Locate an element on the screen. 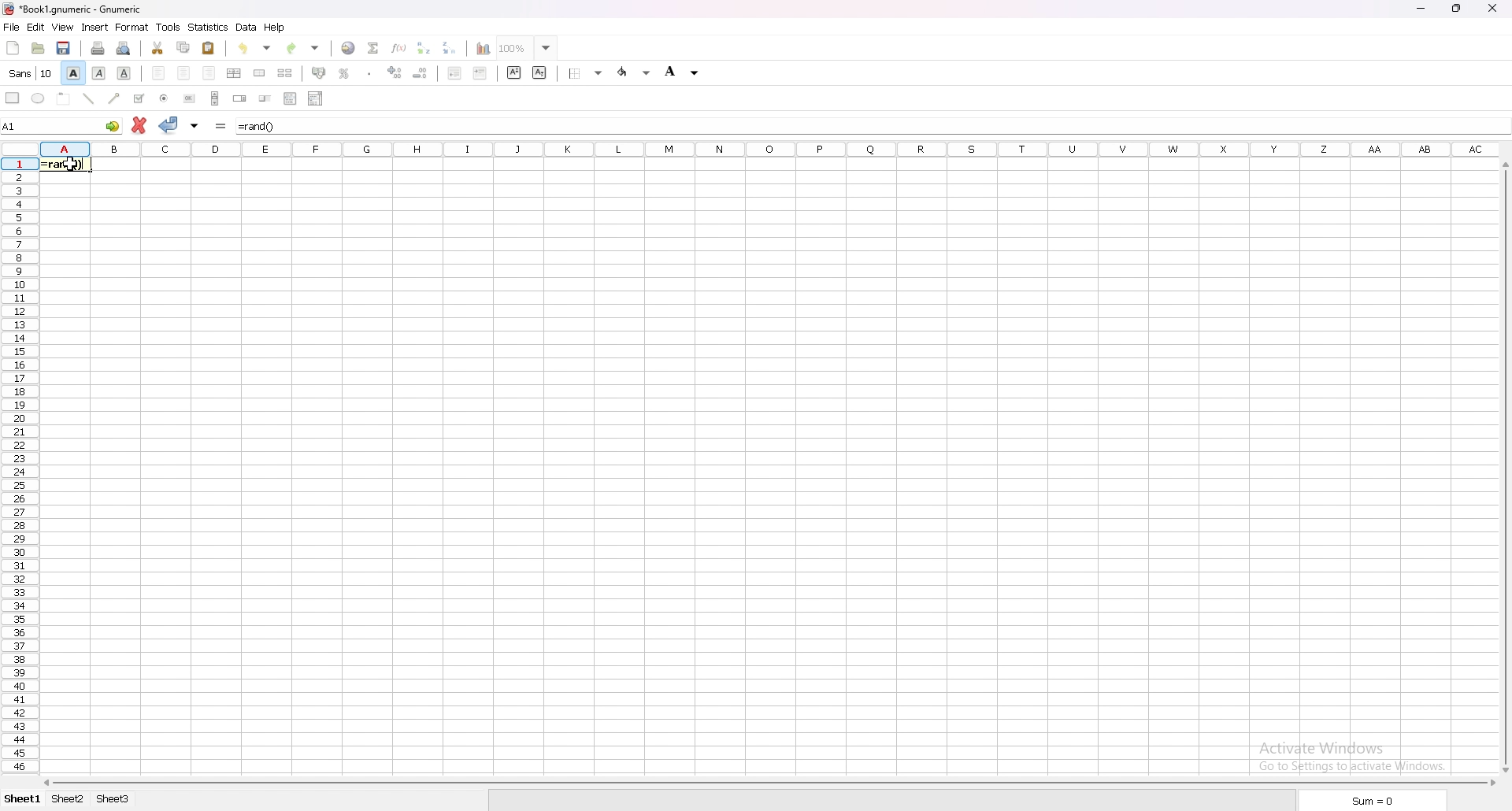 This screenshot has width=1512, height=811. new is located at coordinates (13, 48).